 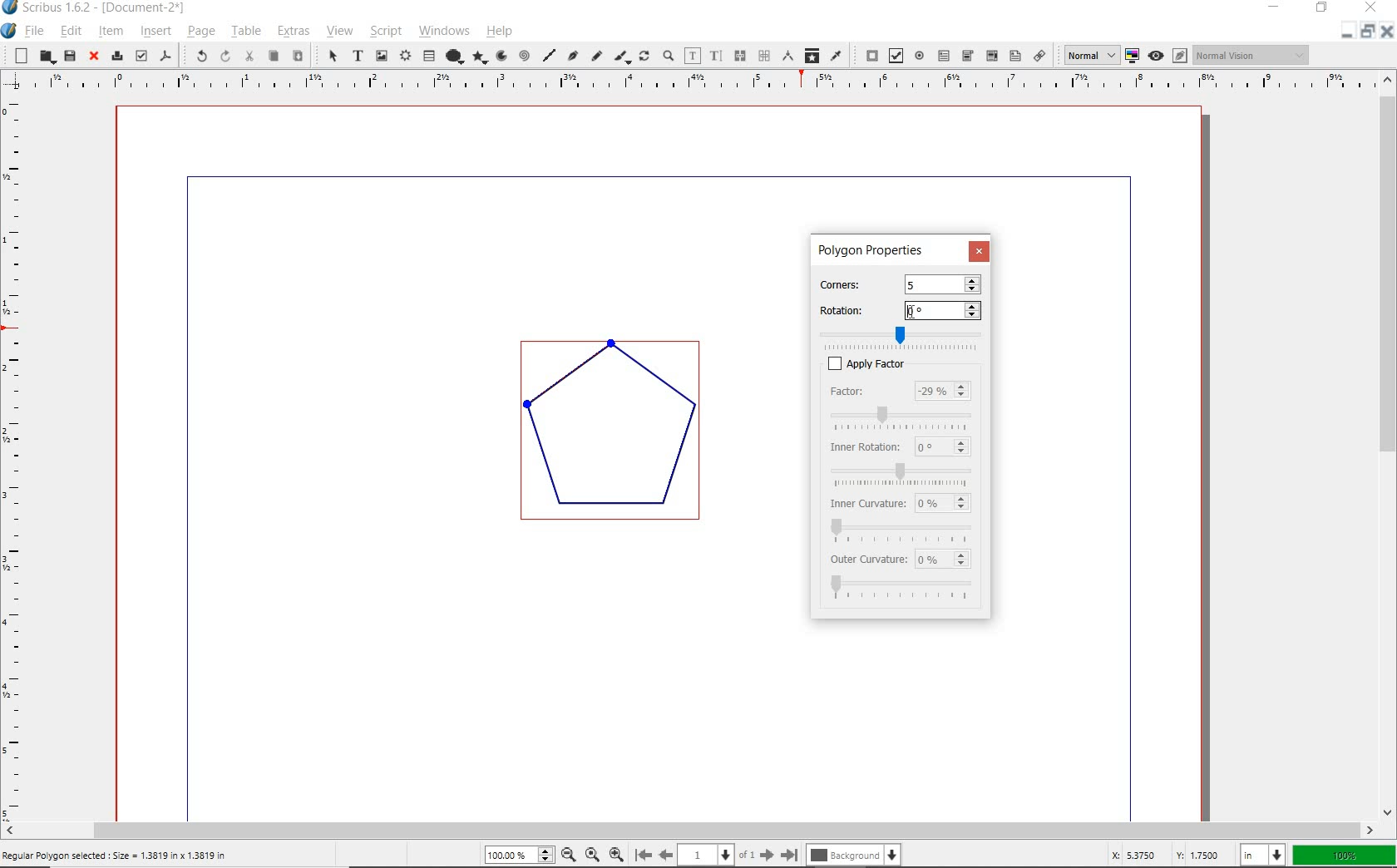 I want to click on checkbox, so click(x=828, y=363).